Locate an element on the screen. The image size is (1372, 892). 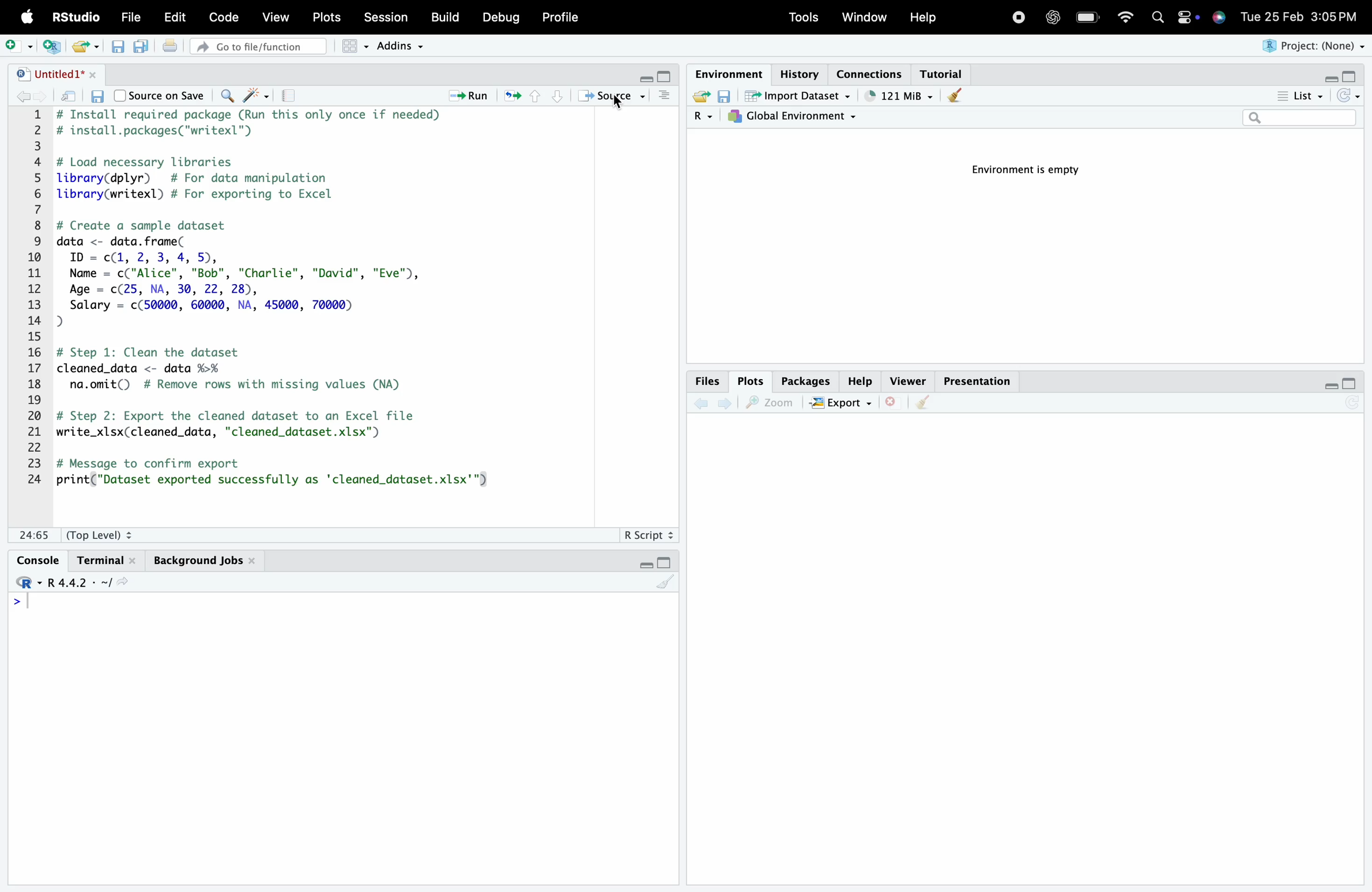
R is located at coordinates (705, 117).